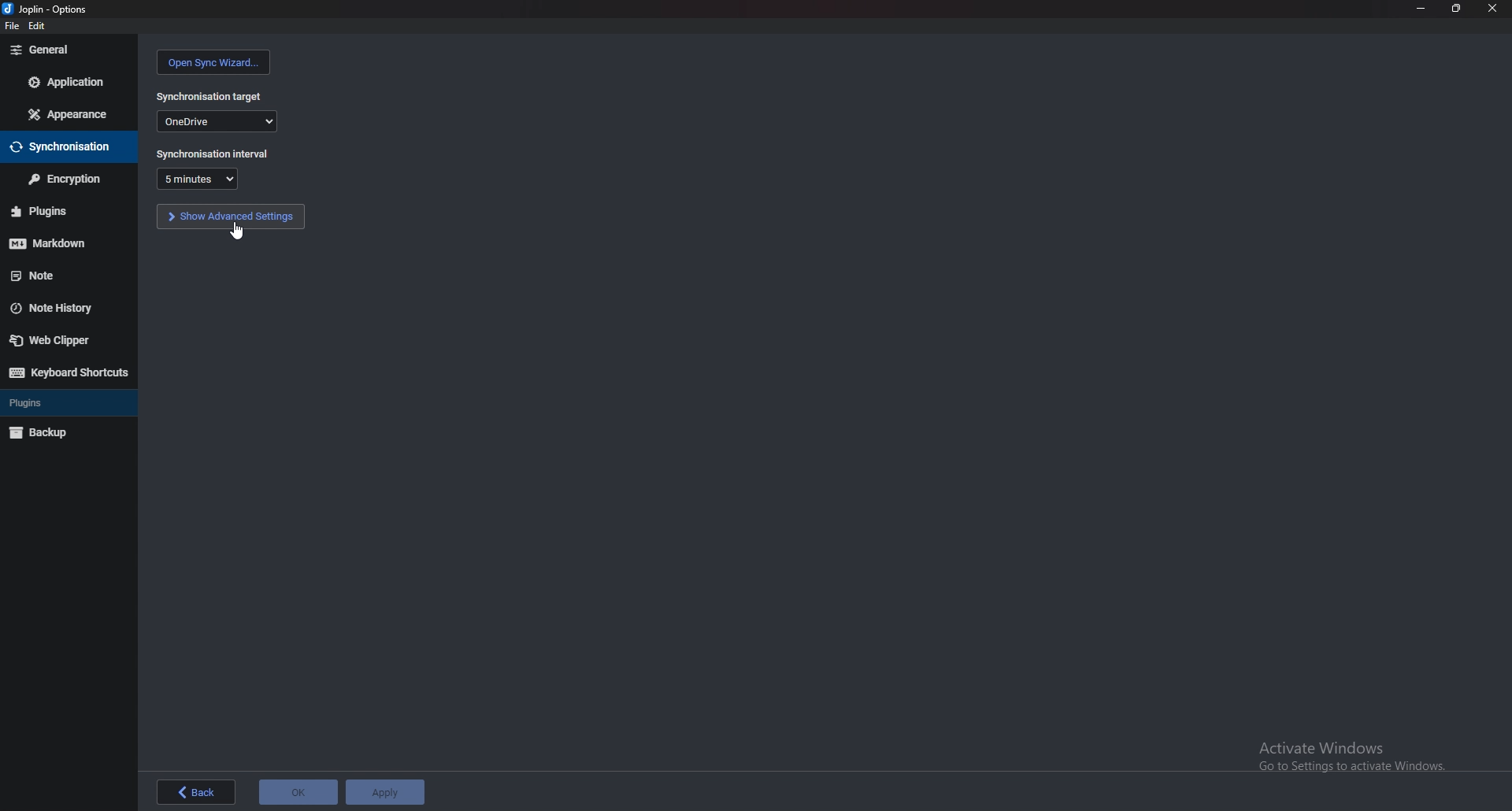 This screenshot has height=811, width=1512. Describe the element at coordinates (1347, 754) in the screenshot. I see `Activate Windows` at that location.